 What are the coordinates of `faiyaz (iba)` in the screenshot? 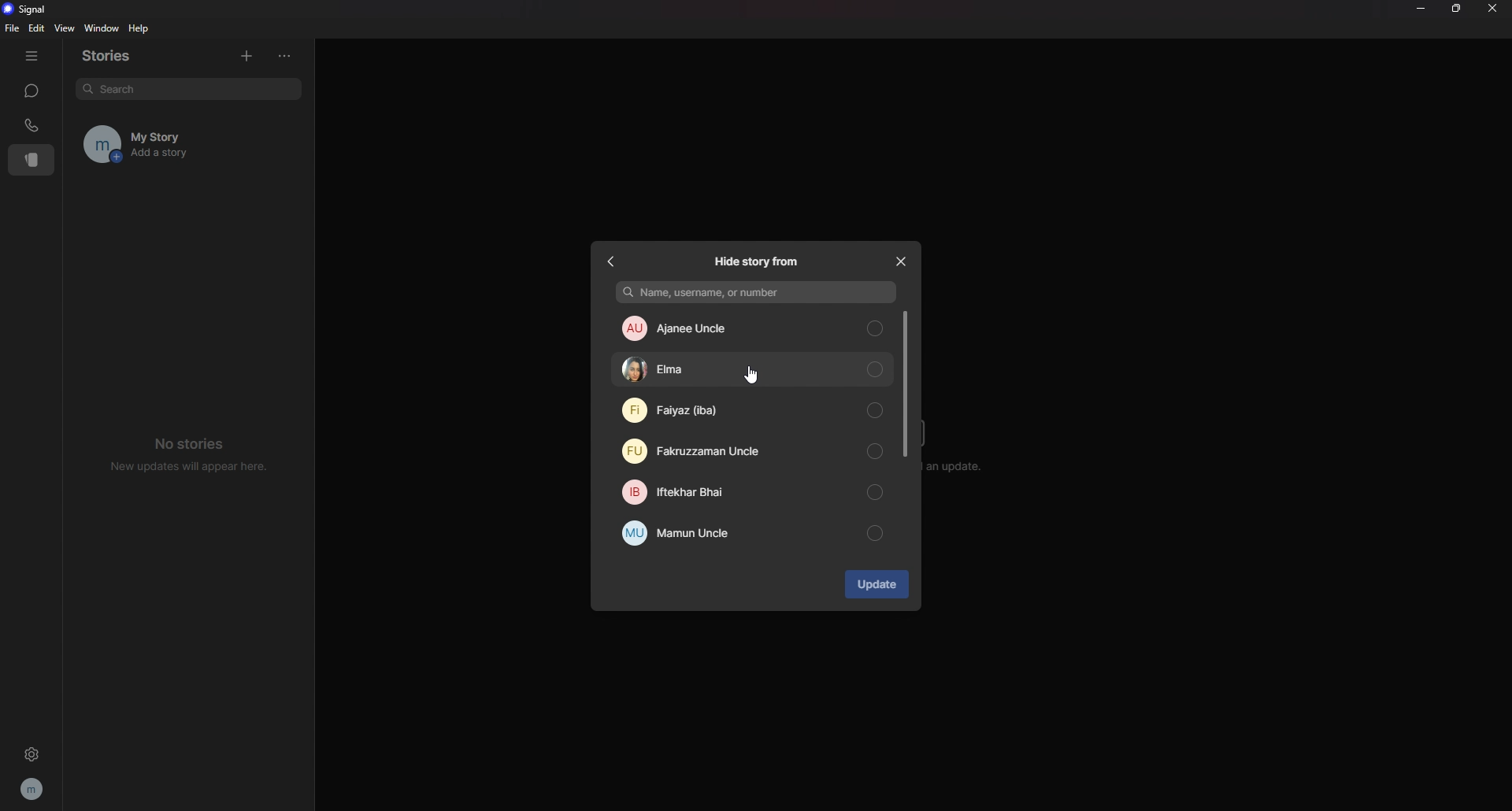 It's located at (751, 410).